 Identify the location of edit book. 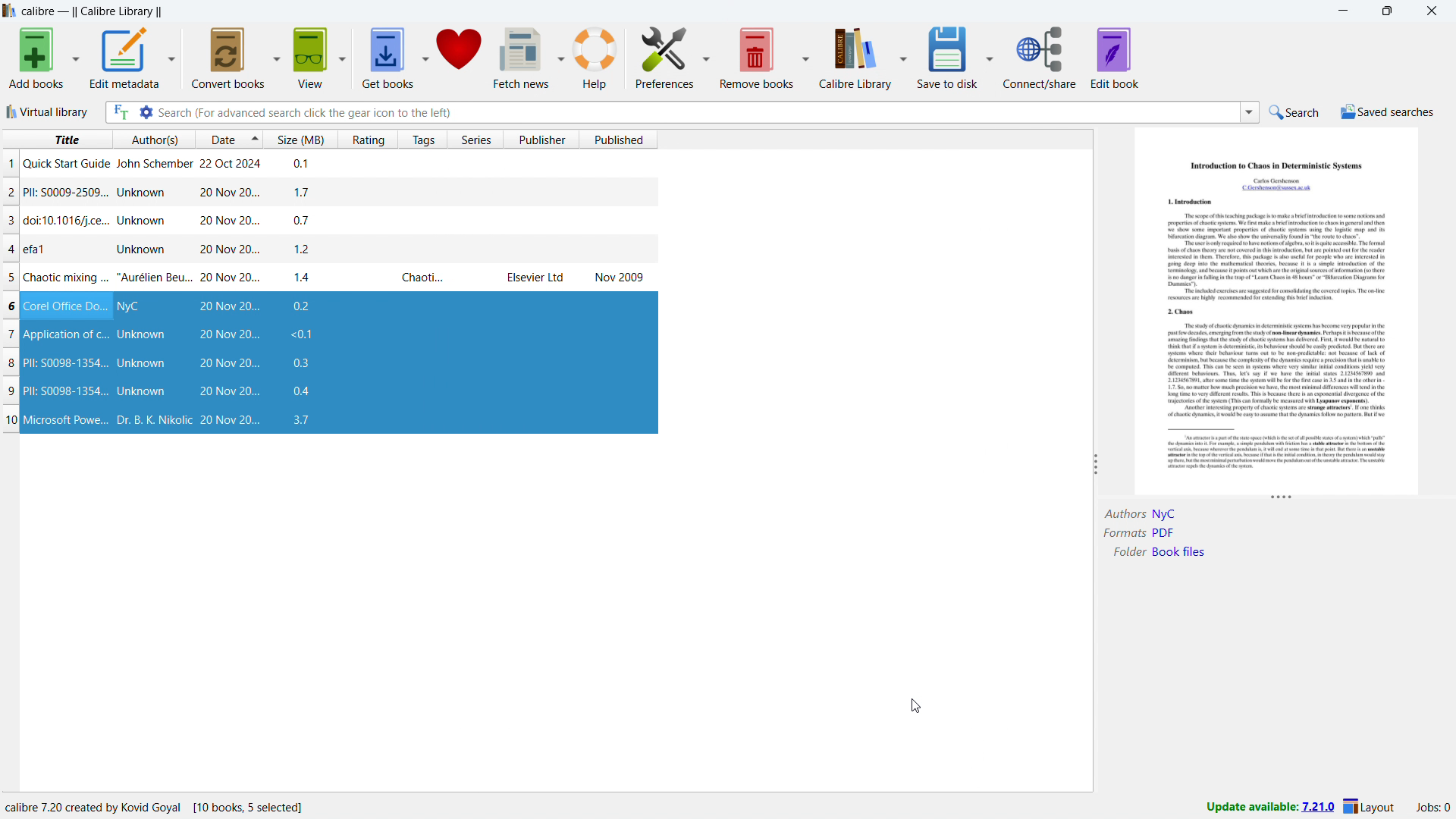
(1115, 57).